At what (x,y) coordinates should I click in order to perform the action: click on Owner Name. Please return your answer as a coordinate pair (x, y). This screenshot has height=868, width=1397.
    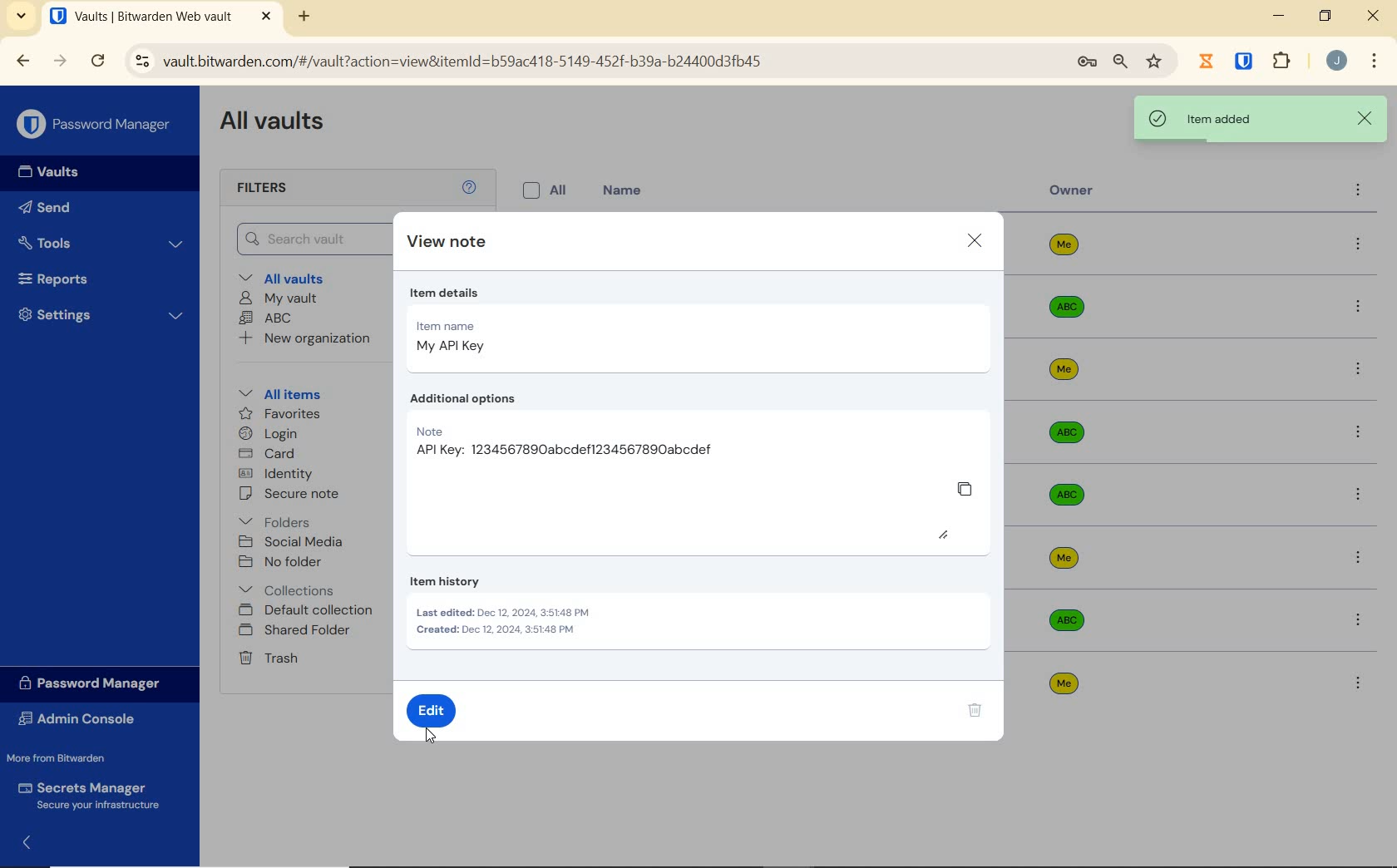
    Looking at the image, I should click on (1064, 465).